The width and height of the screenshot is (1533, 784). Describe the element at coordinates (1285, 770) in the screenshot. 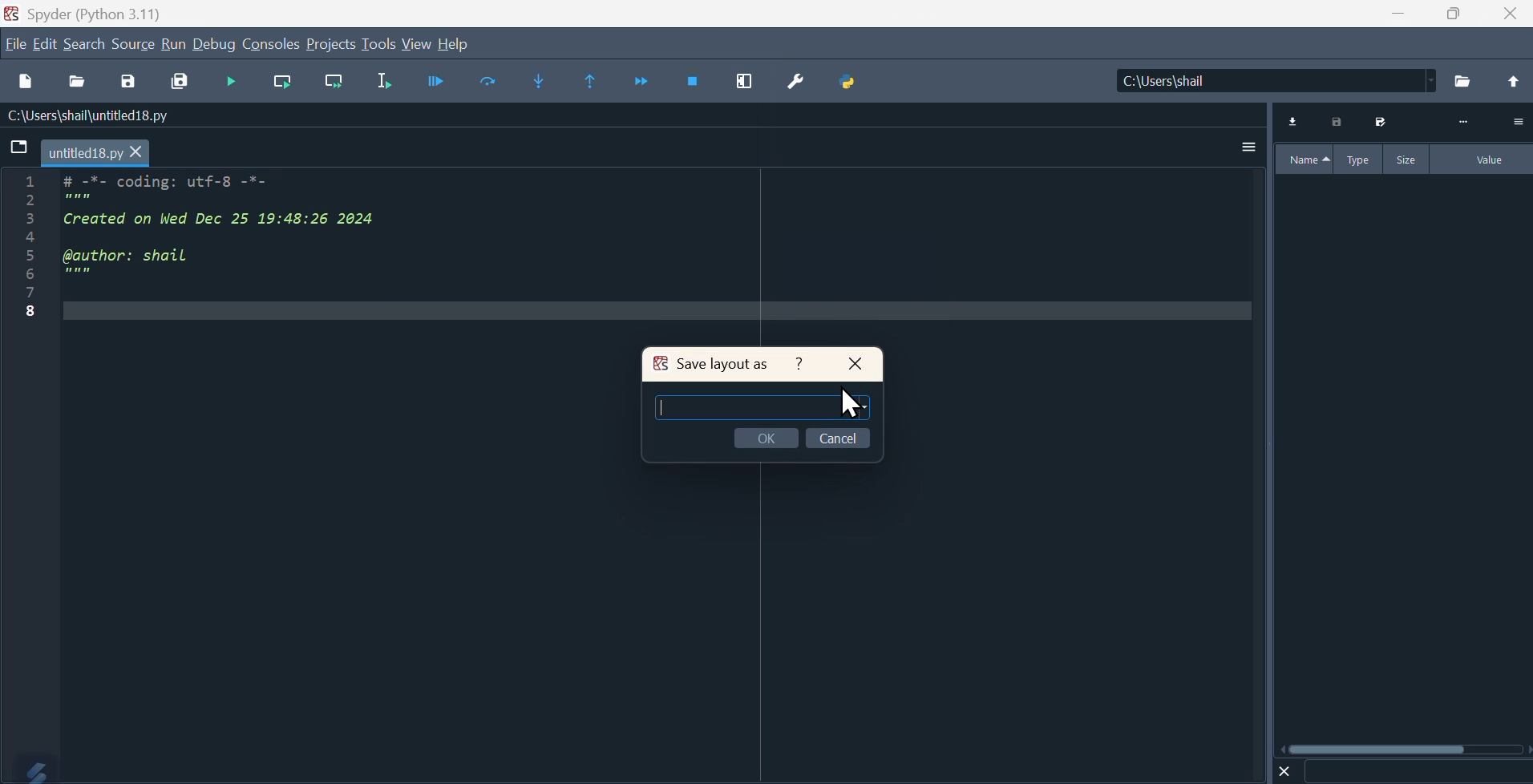

I see `Close` at that location.